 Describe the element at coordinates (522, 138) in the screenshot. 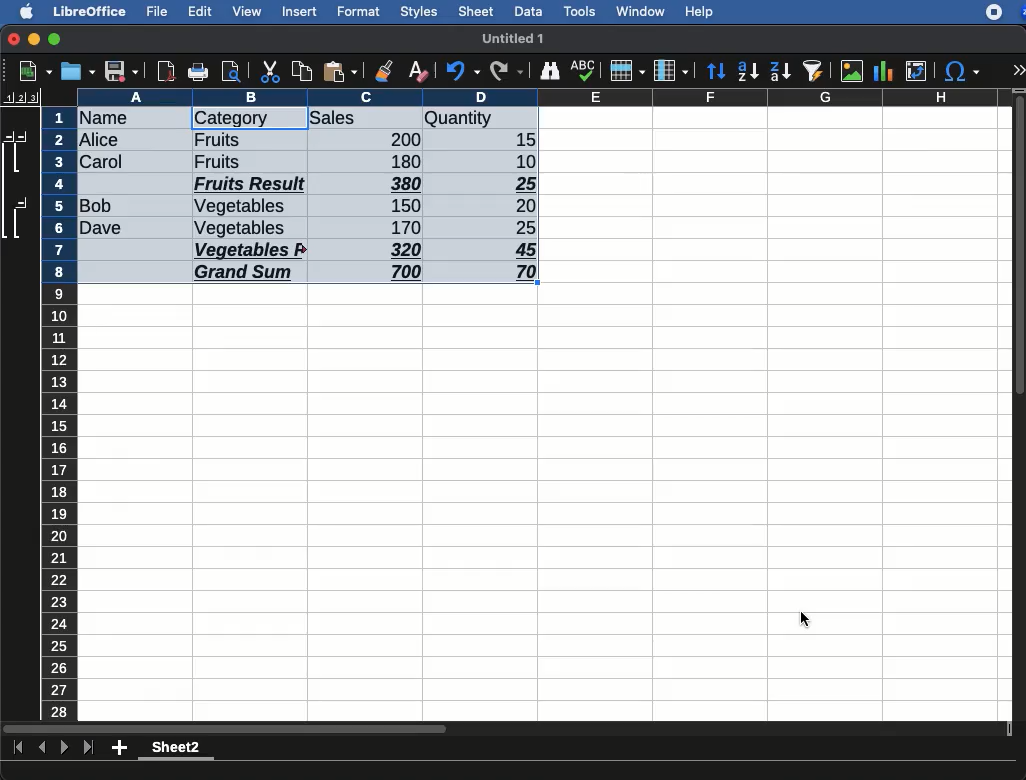

I see `15` at that location.